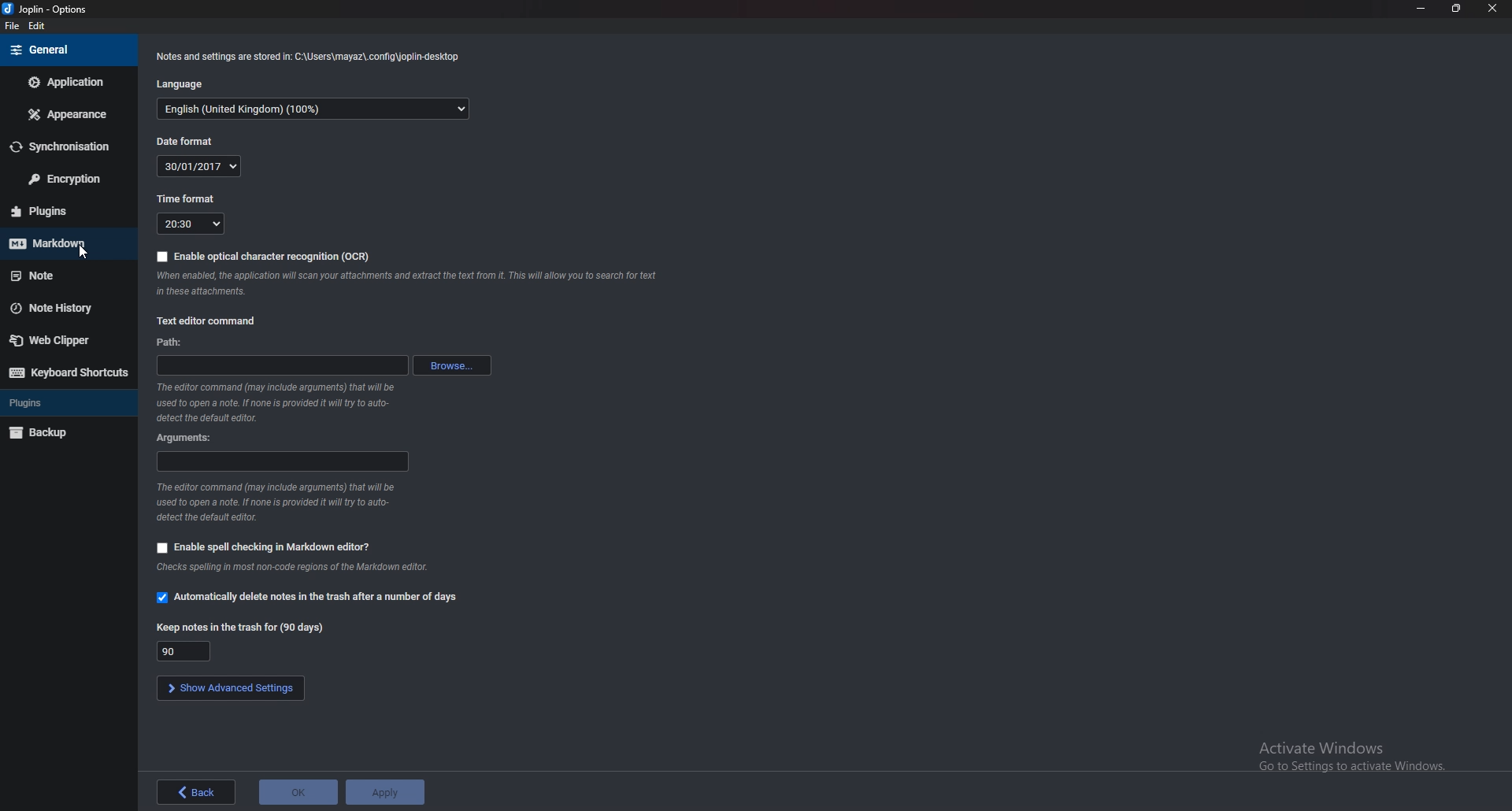 The width and height of the screenshot is (1512, 811). What do you see at coordinates (185, 437) in the screenshot?
I see `arguments` at bounding box center [185, 437].